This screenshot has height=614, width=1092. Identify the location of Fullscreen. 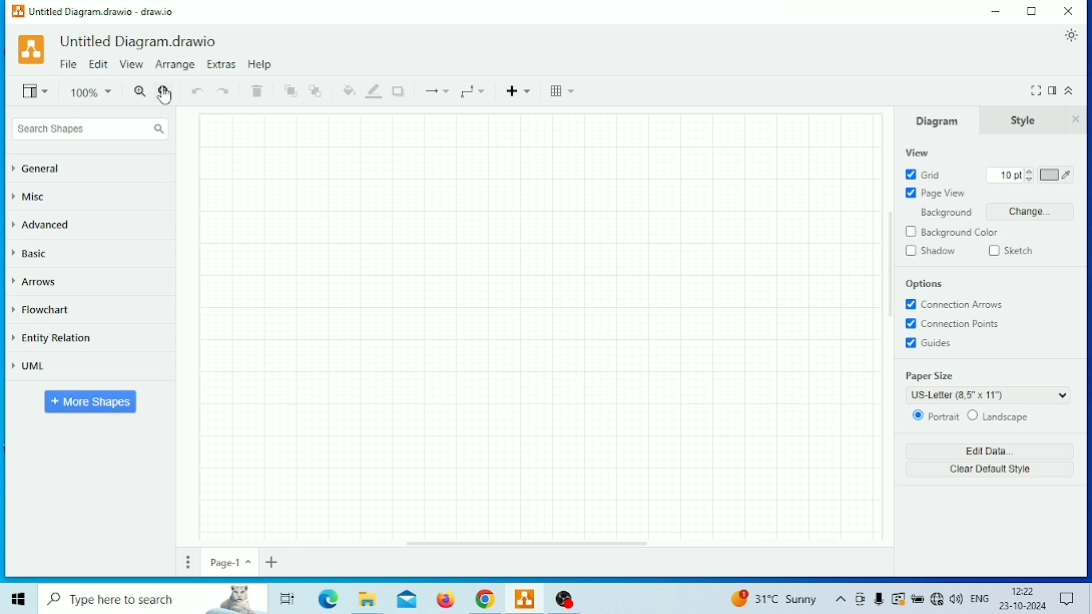
(1035, 89).